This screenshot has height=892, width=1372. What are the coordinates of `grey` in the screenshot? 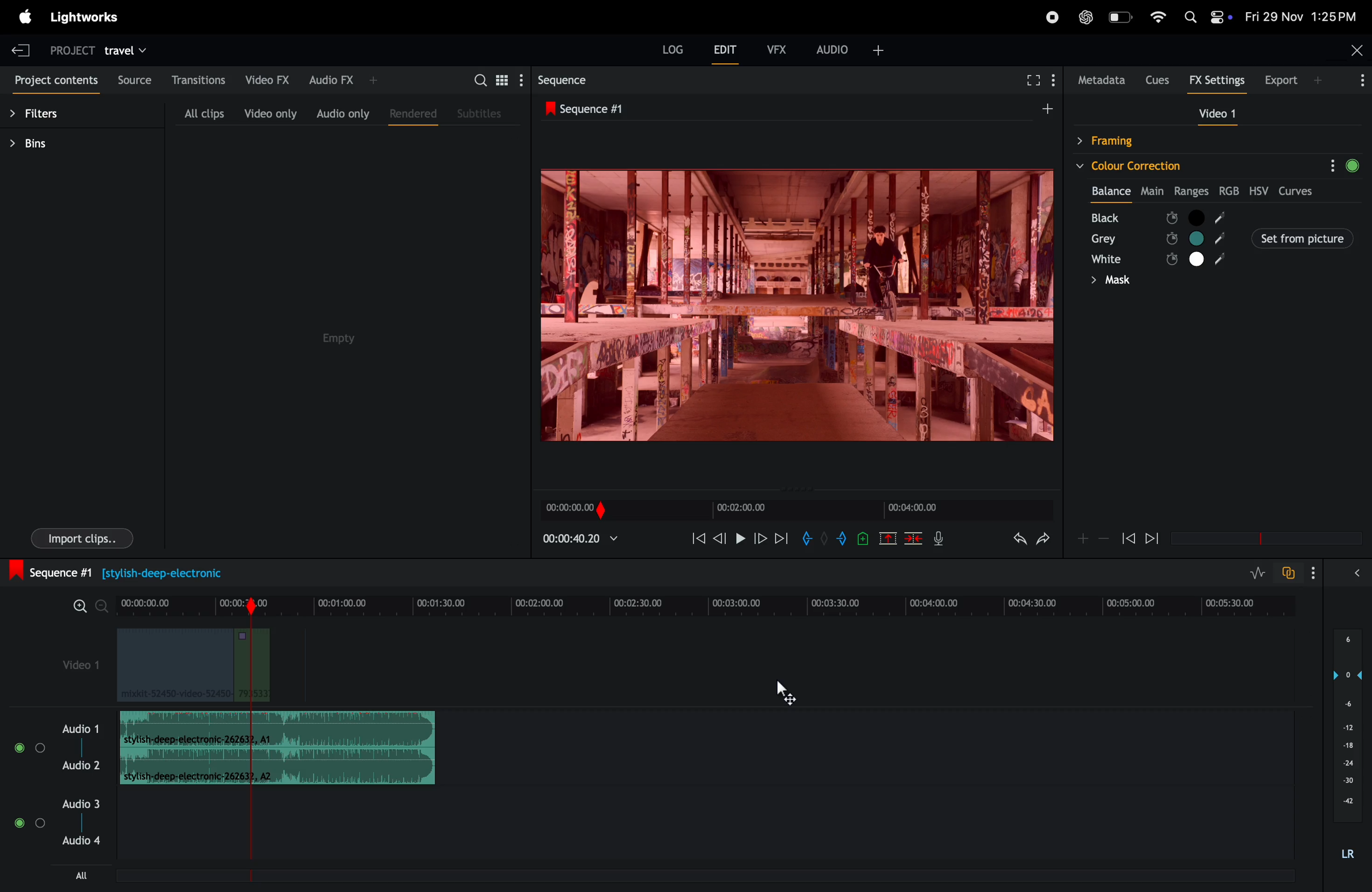 It's located at (1104, 239).